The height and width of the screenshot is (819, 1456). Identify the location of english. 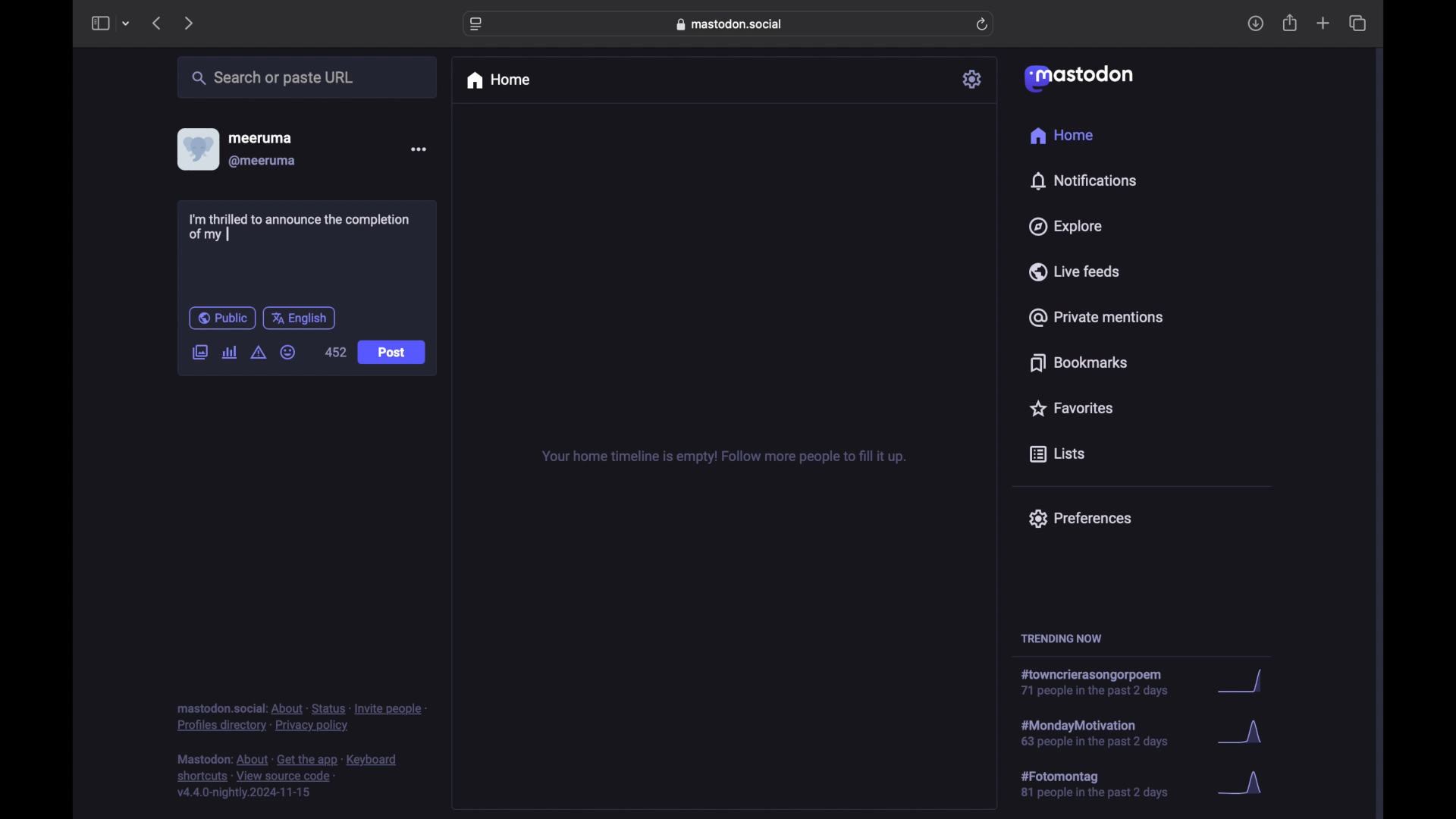
(299, 319).